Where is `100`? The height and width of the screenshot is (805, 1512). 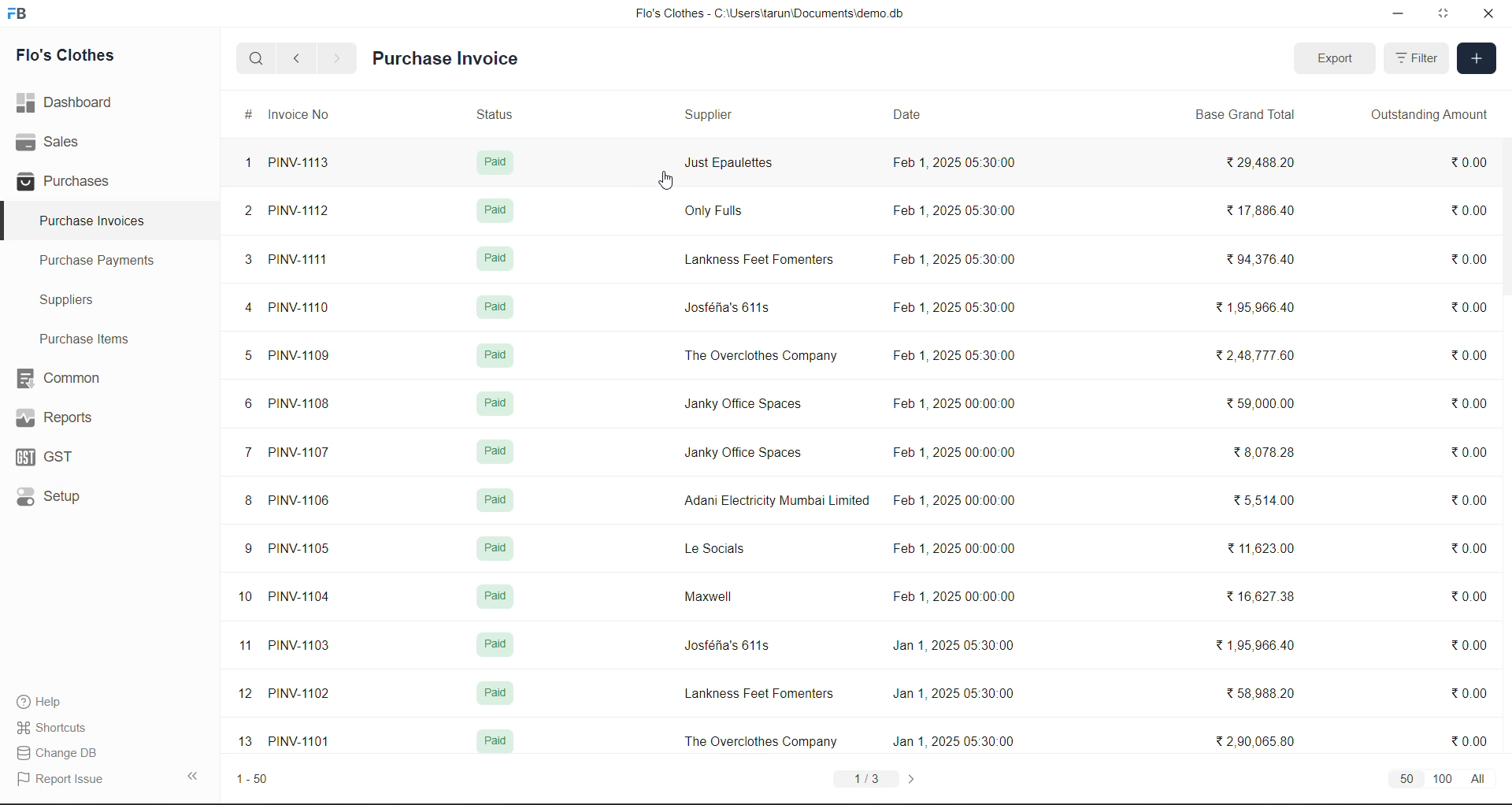 100 is located at coordinates (1447, 781).